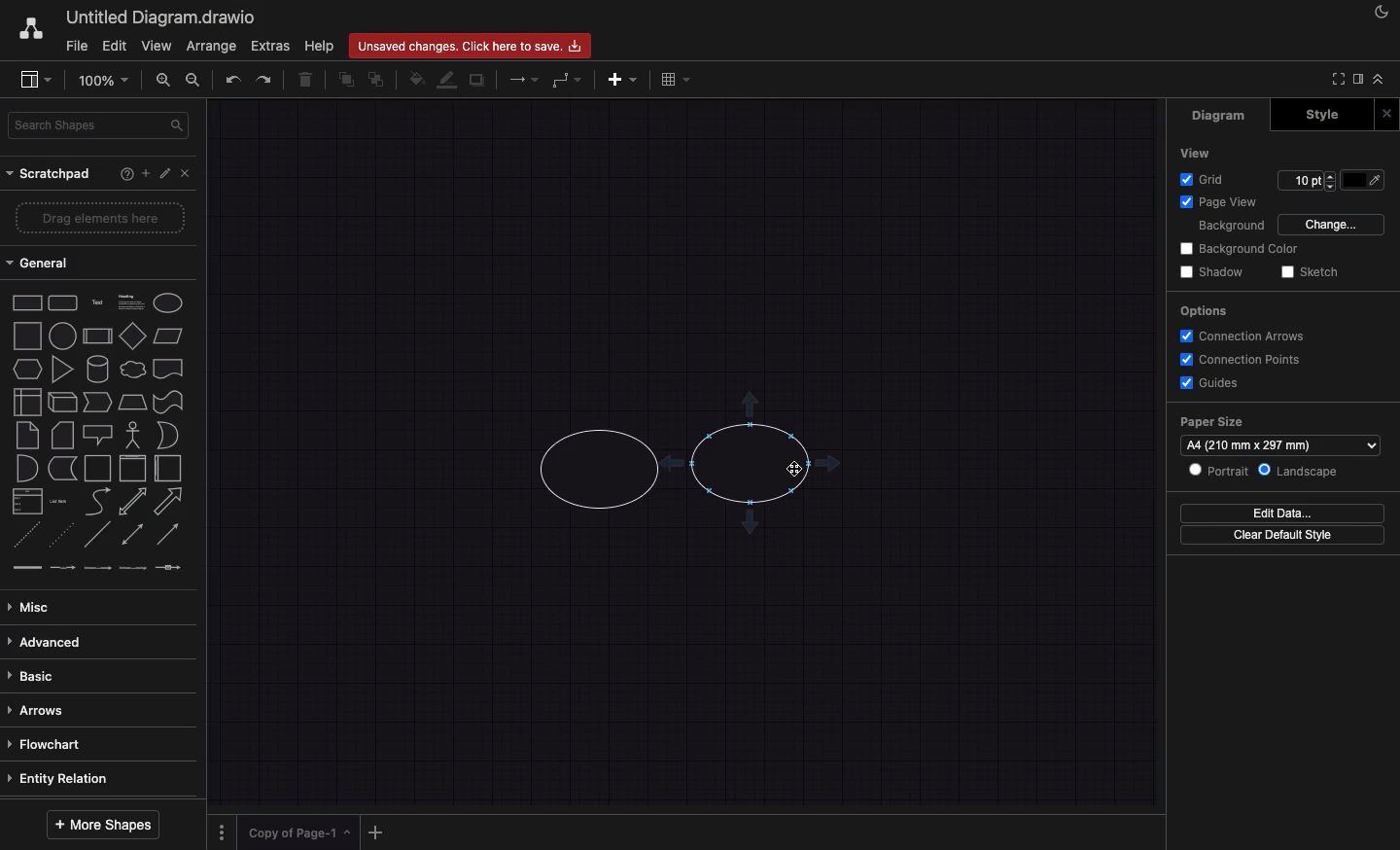 This screenshot has width=1400, height=850. What do you see at coordinates (1387, 115) in the screenshot?
I see `close` at bounding box center [1387, 115].